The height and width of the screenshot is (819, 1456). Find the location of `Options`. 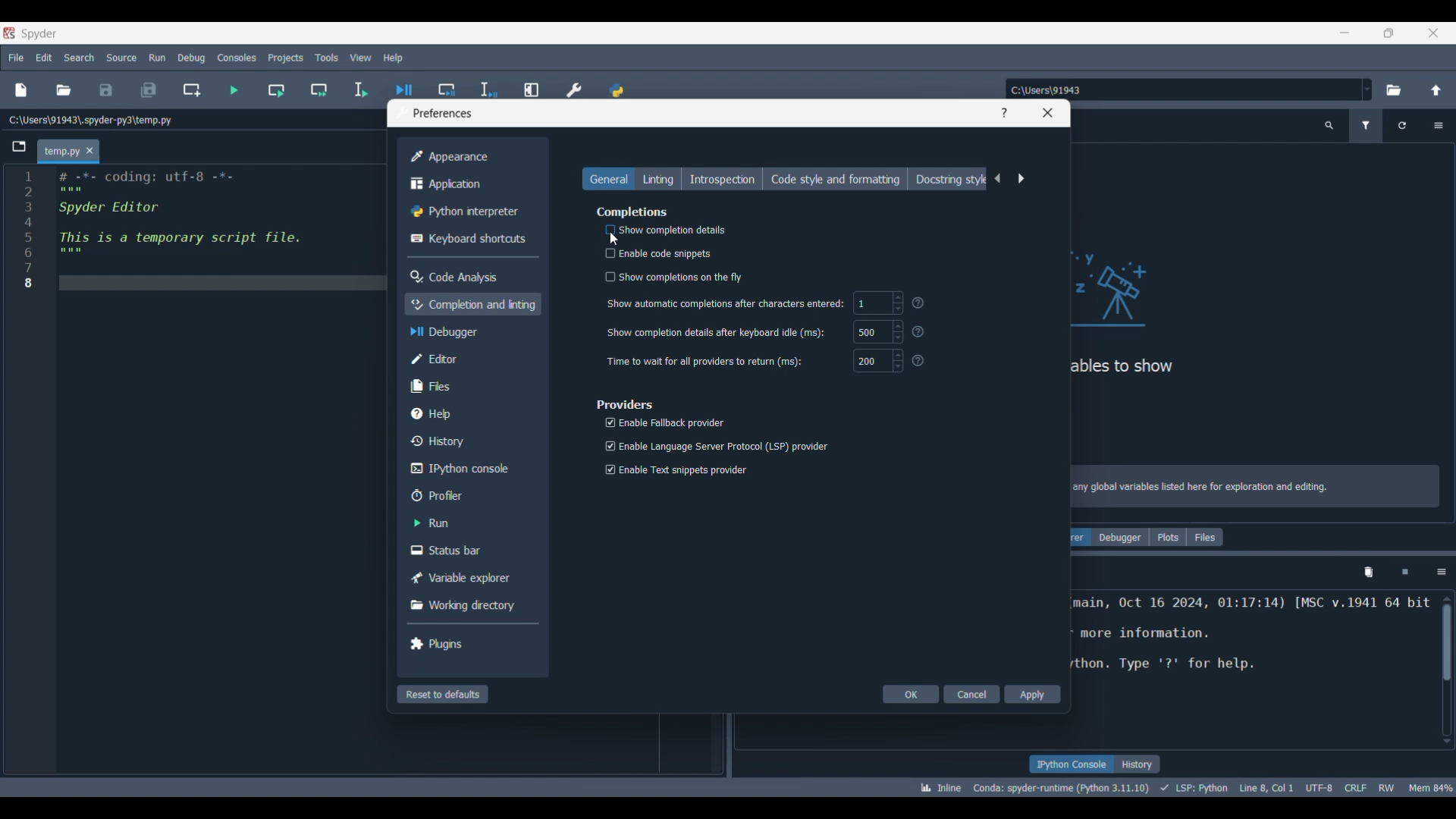

Options is located at coordinates (1441, 573).